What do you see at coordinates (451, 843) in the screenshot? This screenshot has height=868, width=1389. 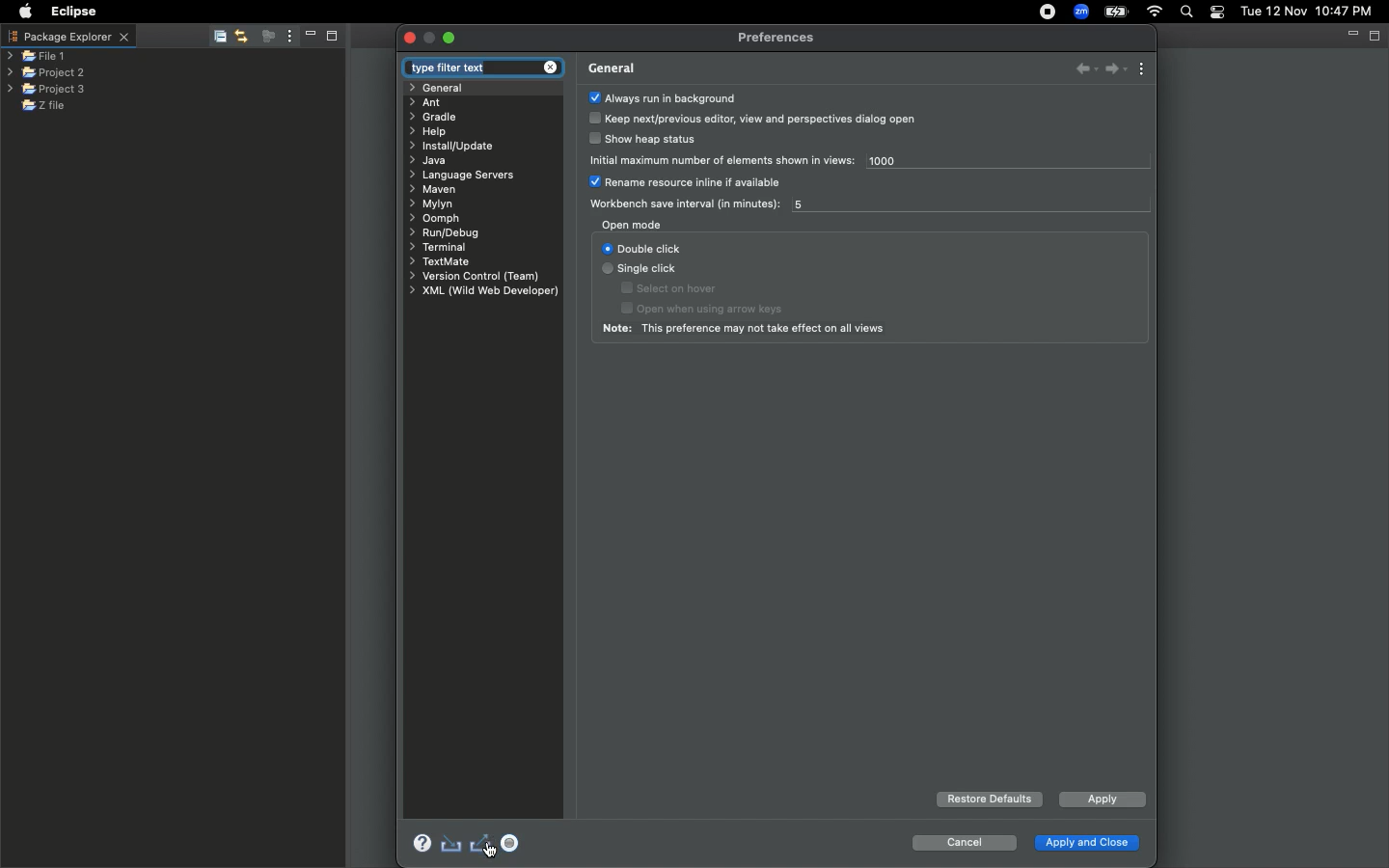 I see `Import` at bounding box center [451, 843].